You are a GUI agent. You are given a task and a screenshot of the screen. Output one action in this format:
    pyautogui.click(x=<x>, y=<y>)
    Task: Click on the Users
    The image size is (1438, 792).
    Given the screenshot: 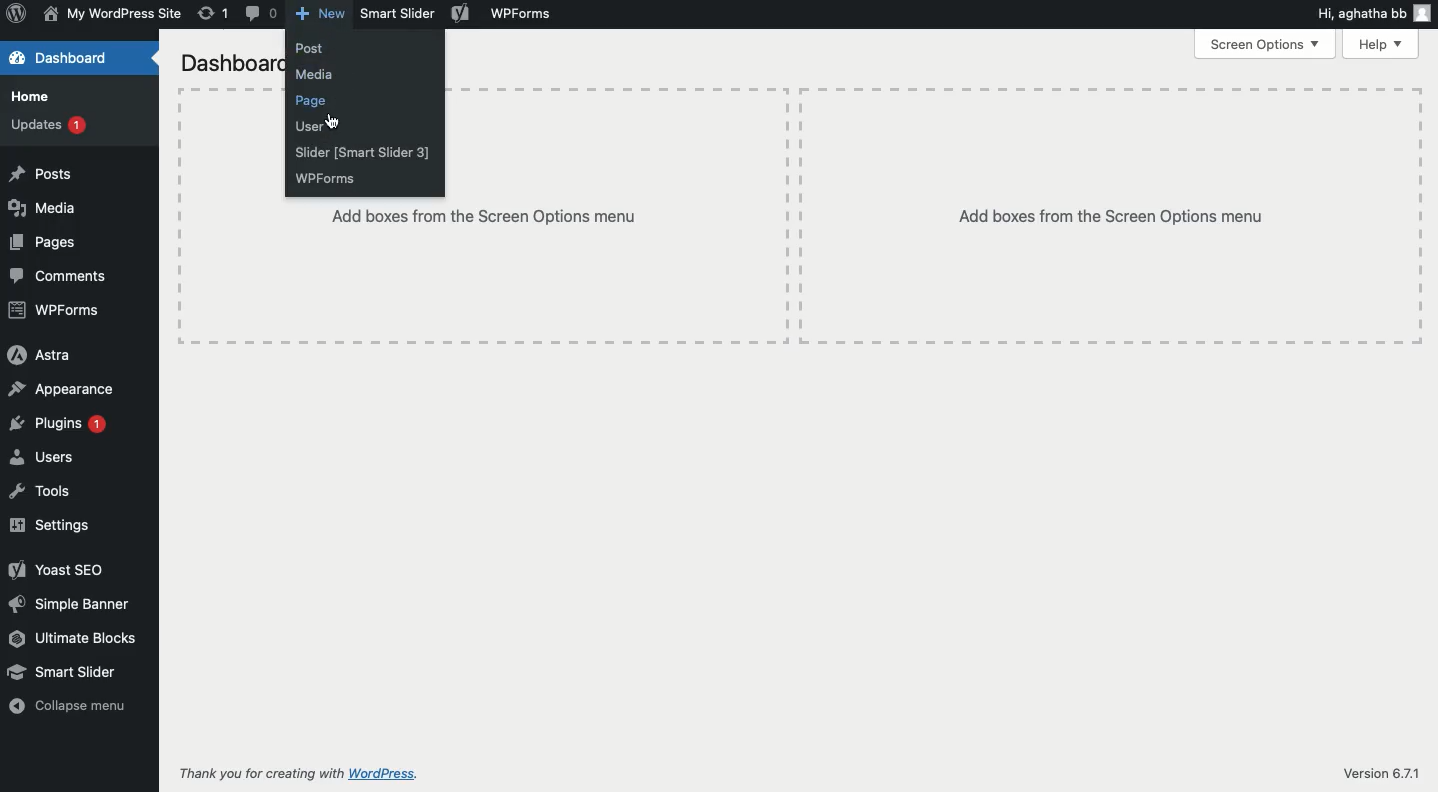 What is the action you would take?
    pyautogui.click(x=42, y=457)
    